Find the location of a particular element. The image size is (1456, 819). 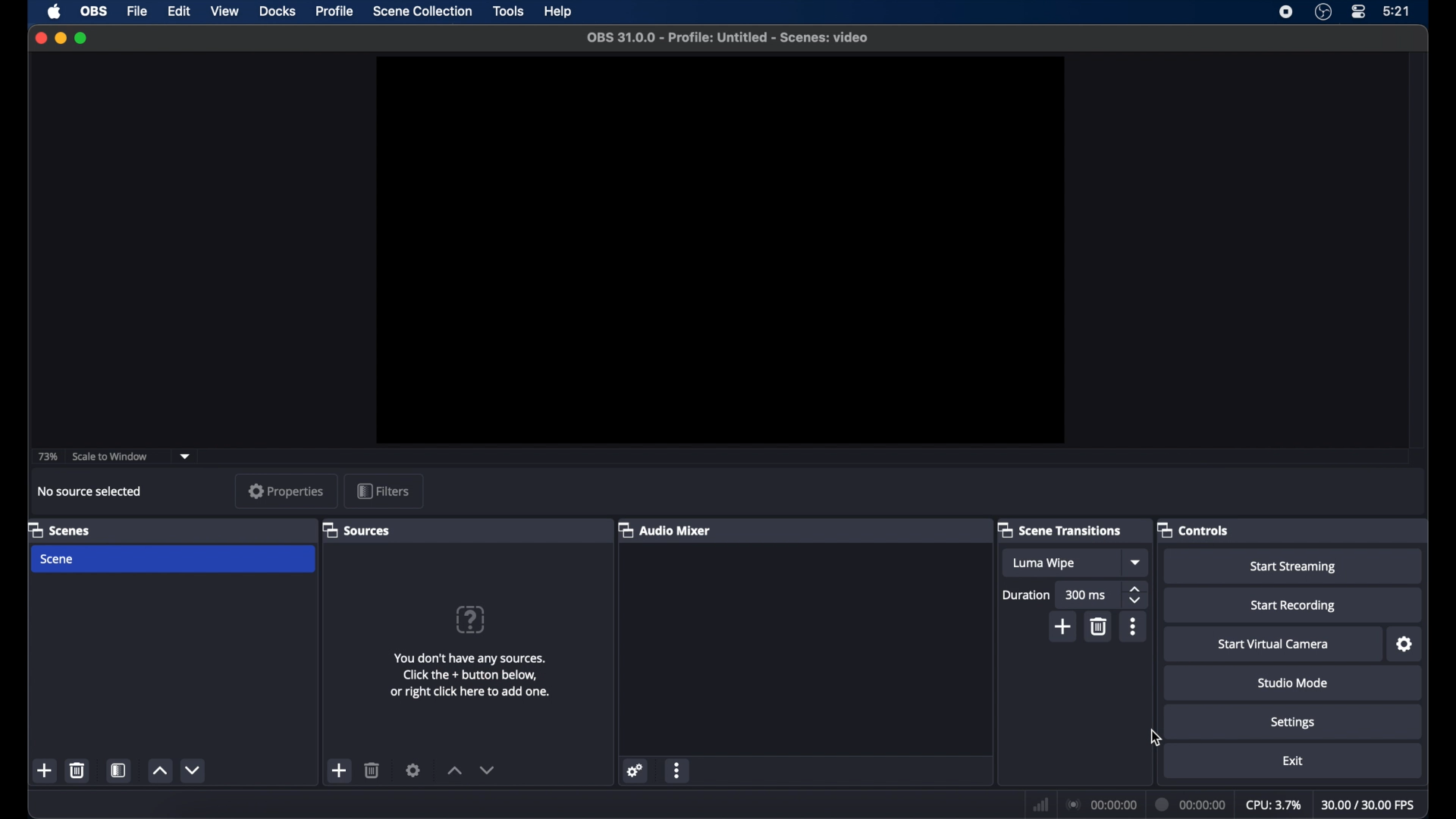

duration is located at coordinates (1027, 595).